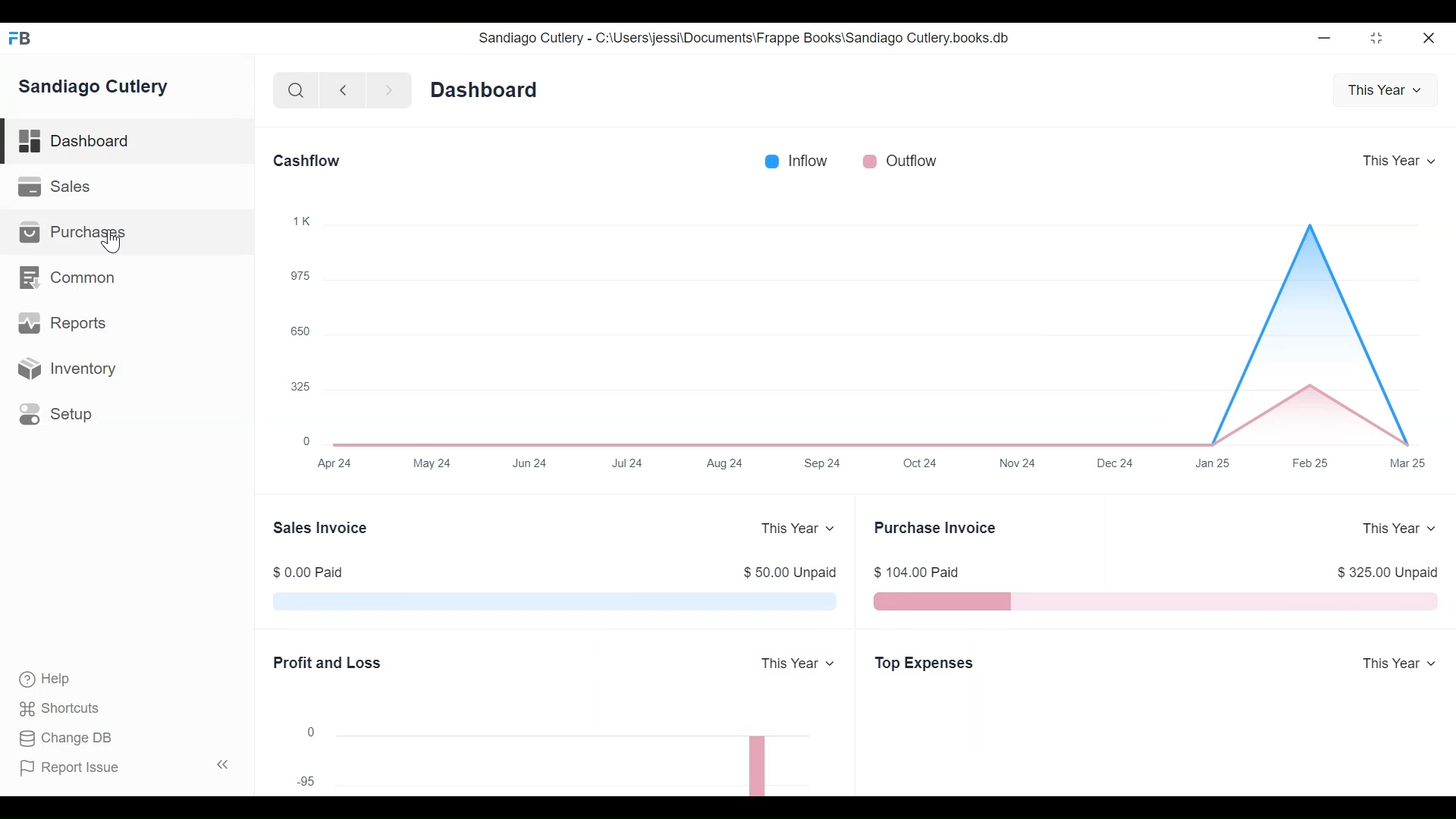  Describe the element at coordinates (1326, 39) in the screenshot. I see `minimize` at that location.